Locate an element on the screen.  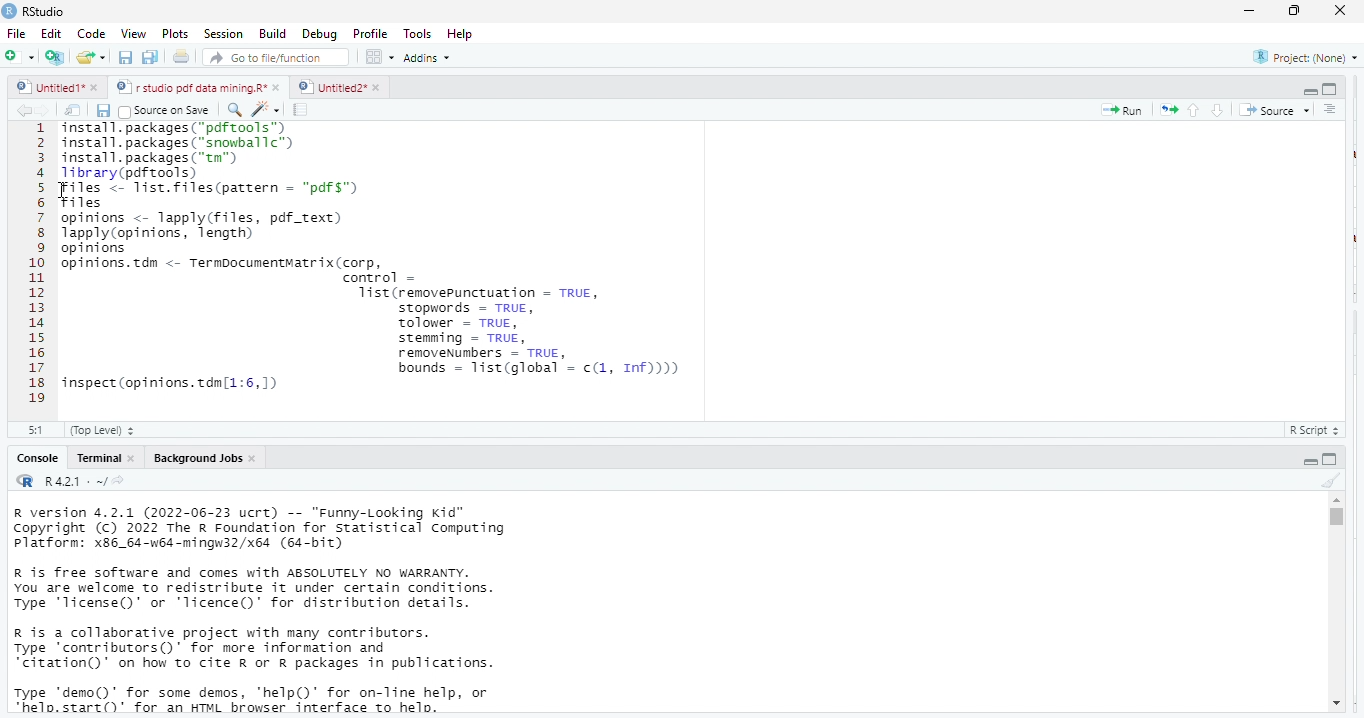
profile is located at coordinates (370, 32).